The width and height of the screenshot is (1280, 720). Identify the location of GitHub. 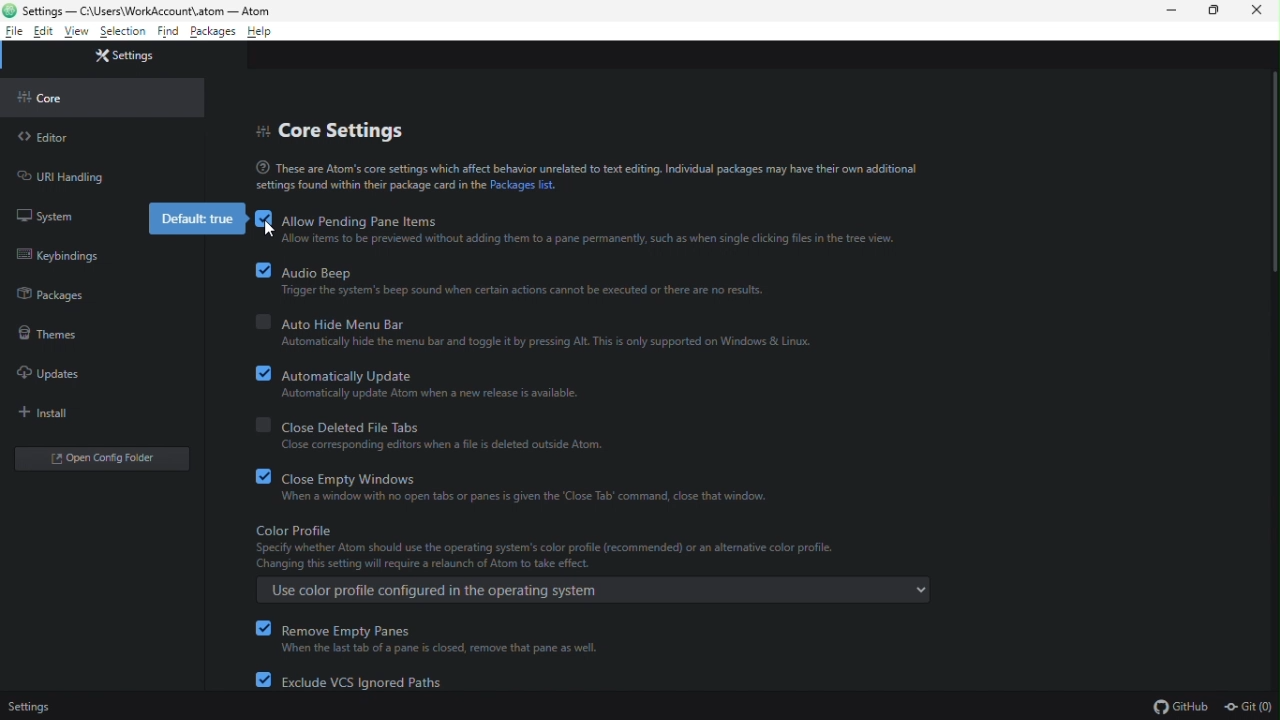
(1170, 706).